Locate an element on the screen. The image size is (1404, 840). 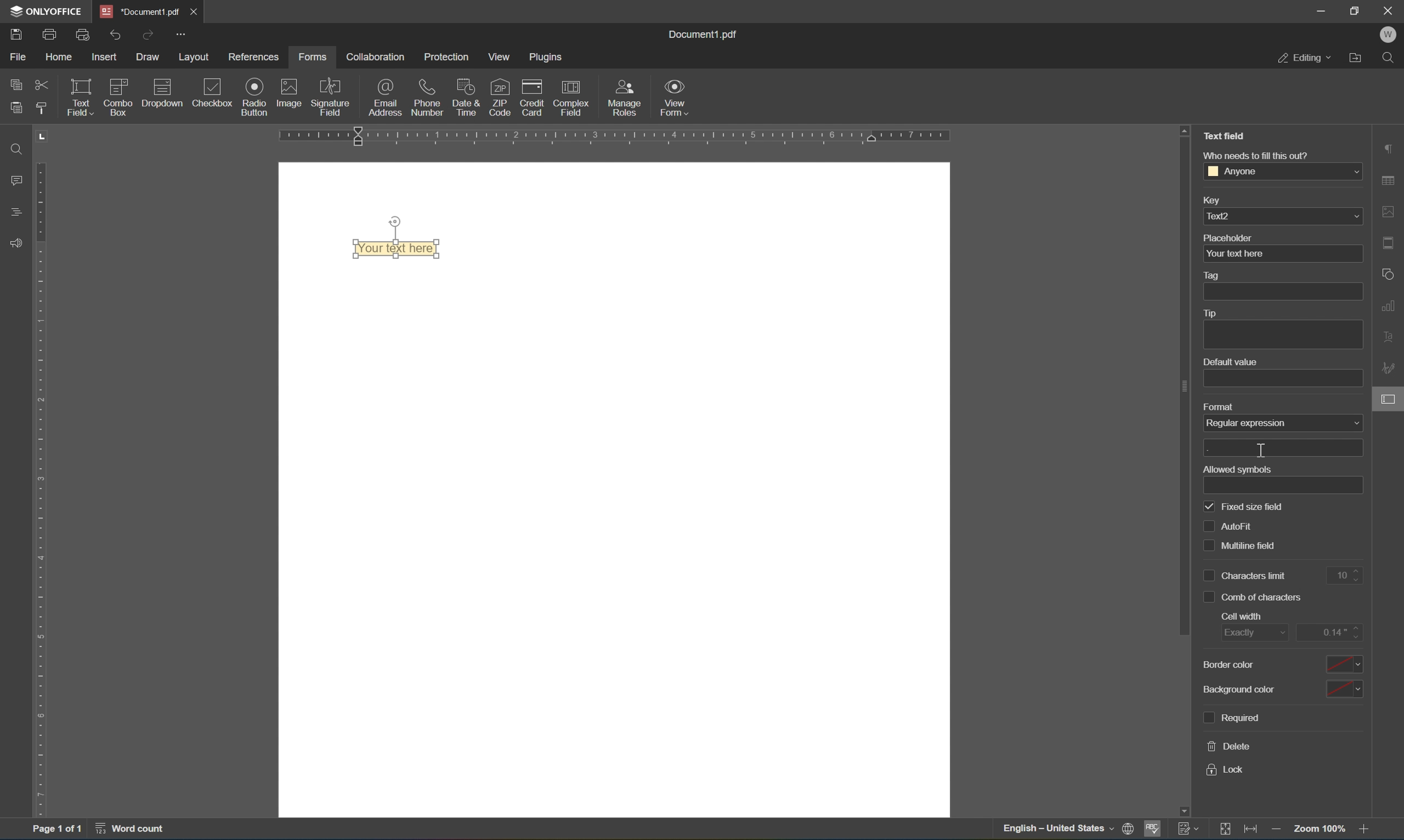
ruler is located at coordinates (614, 137).